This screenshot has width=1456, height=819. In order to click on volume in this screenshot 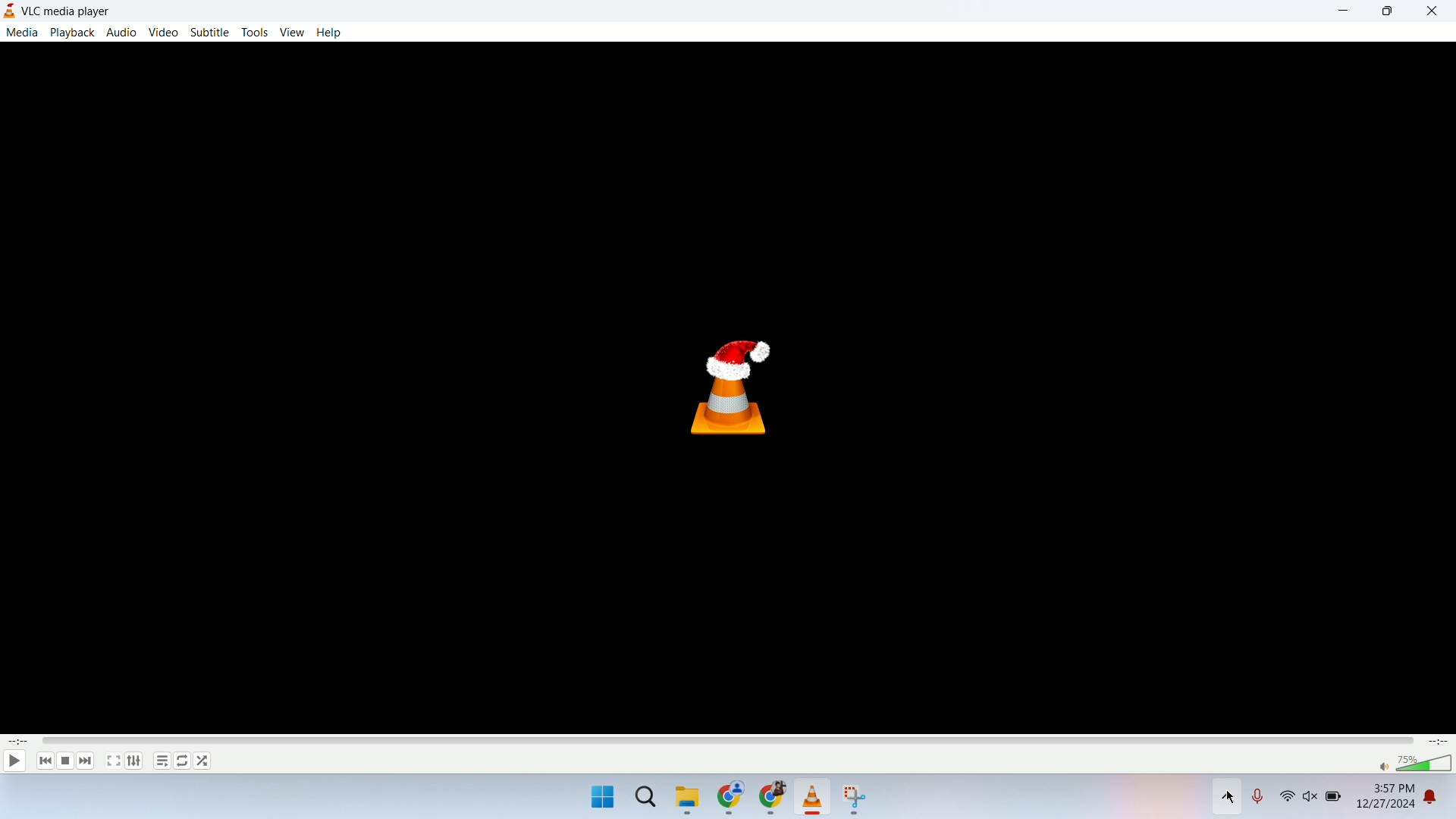, I will do `click(1312, 800)`.